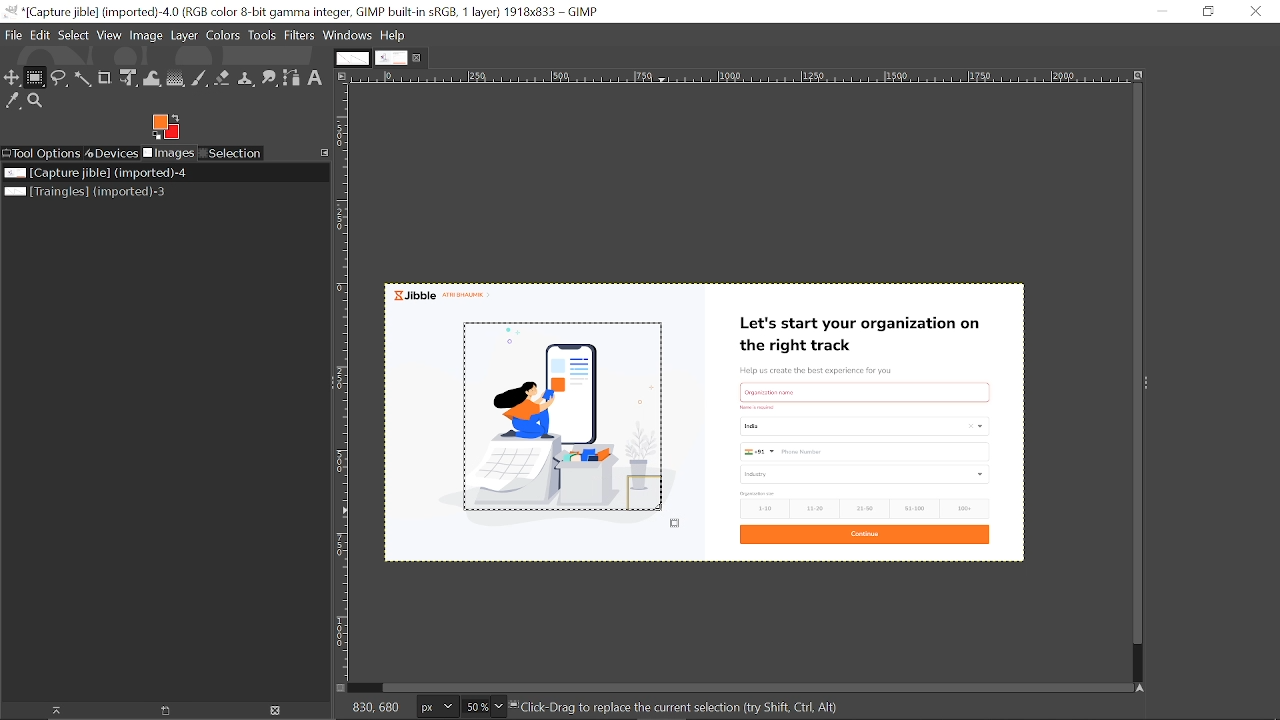  What do you see at coordinates (225, 38) in the screenshot?
I see `Colors` at bounding box center [225, 38].